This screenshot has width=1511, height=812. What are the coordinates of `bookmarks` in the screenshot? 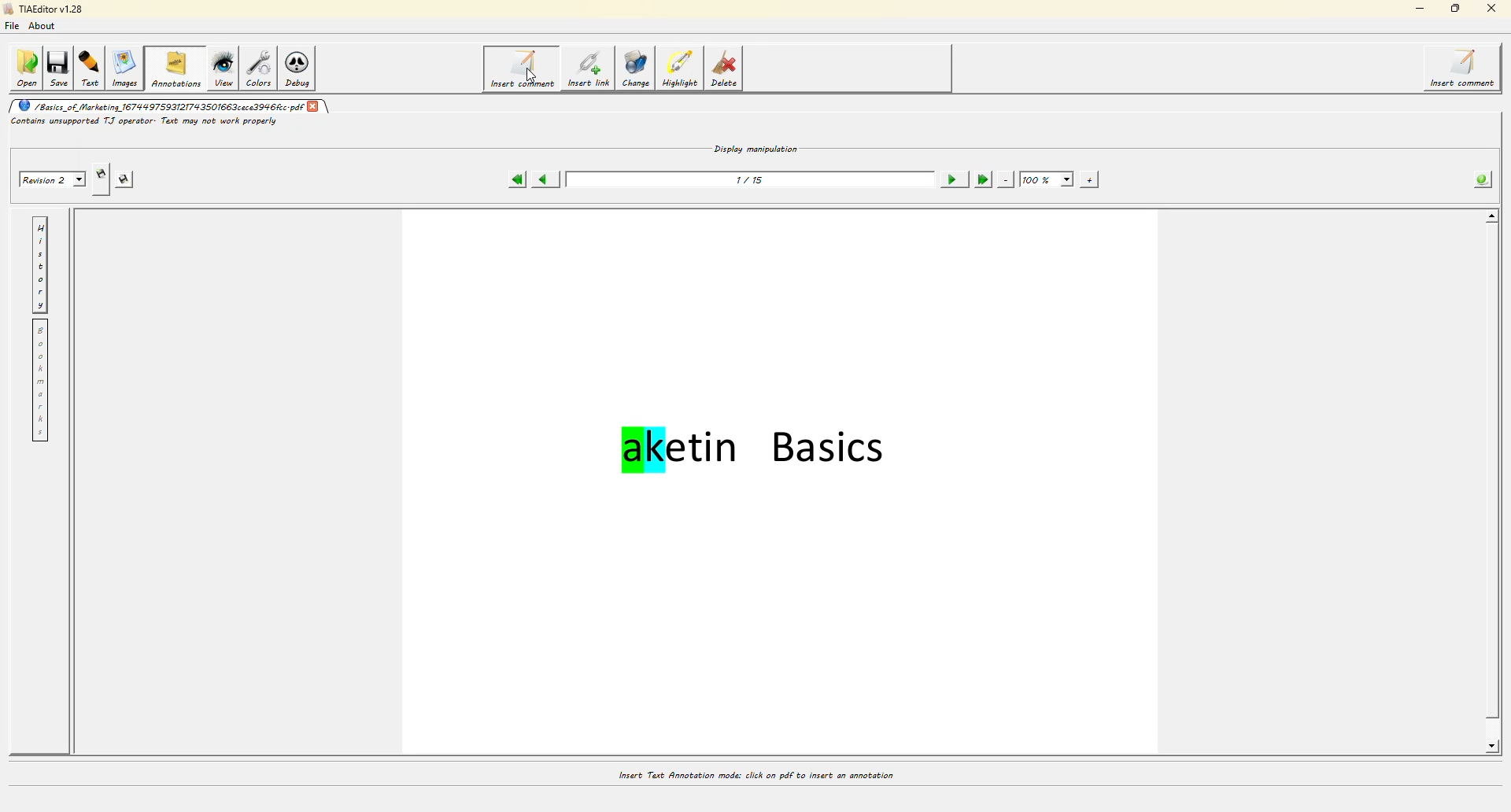 It's located at (39, 381).